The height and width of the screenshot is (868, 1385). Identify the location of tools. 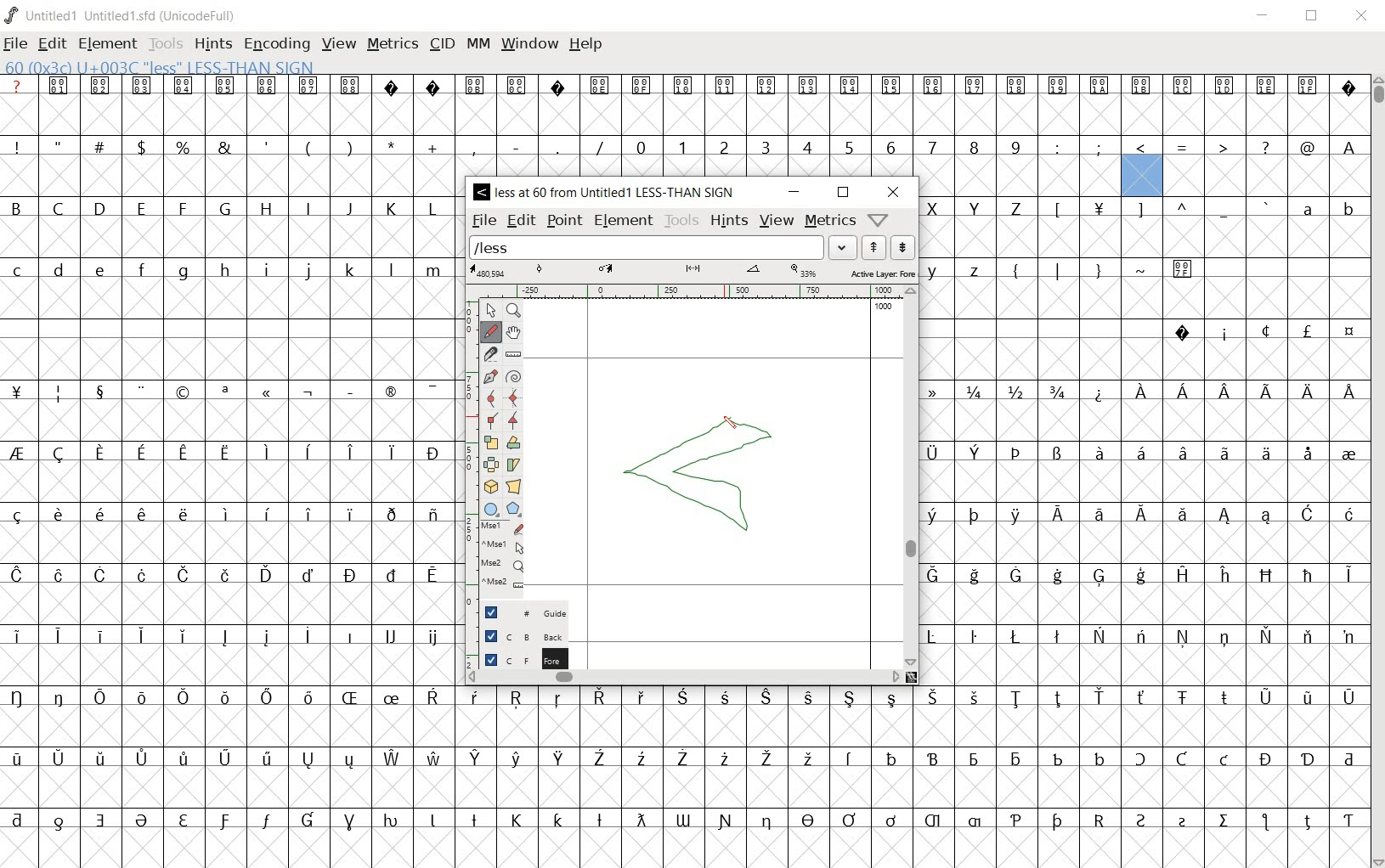
(166, 42).